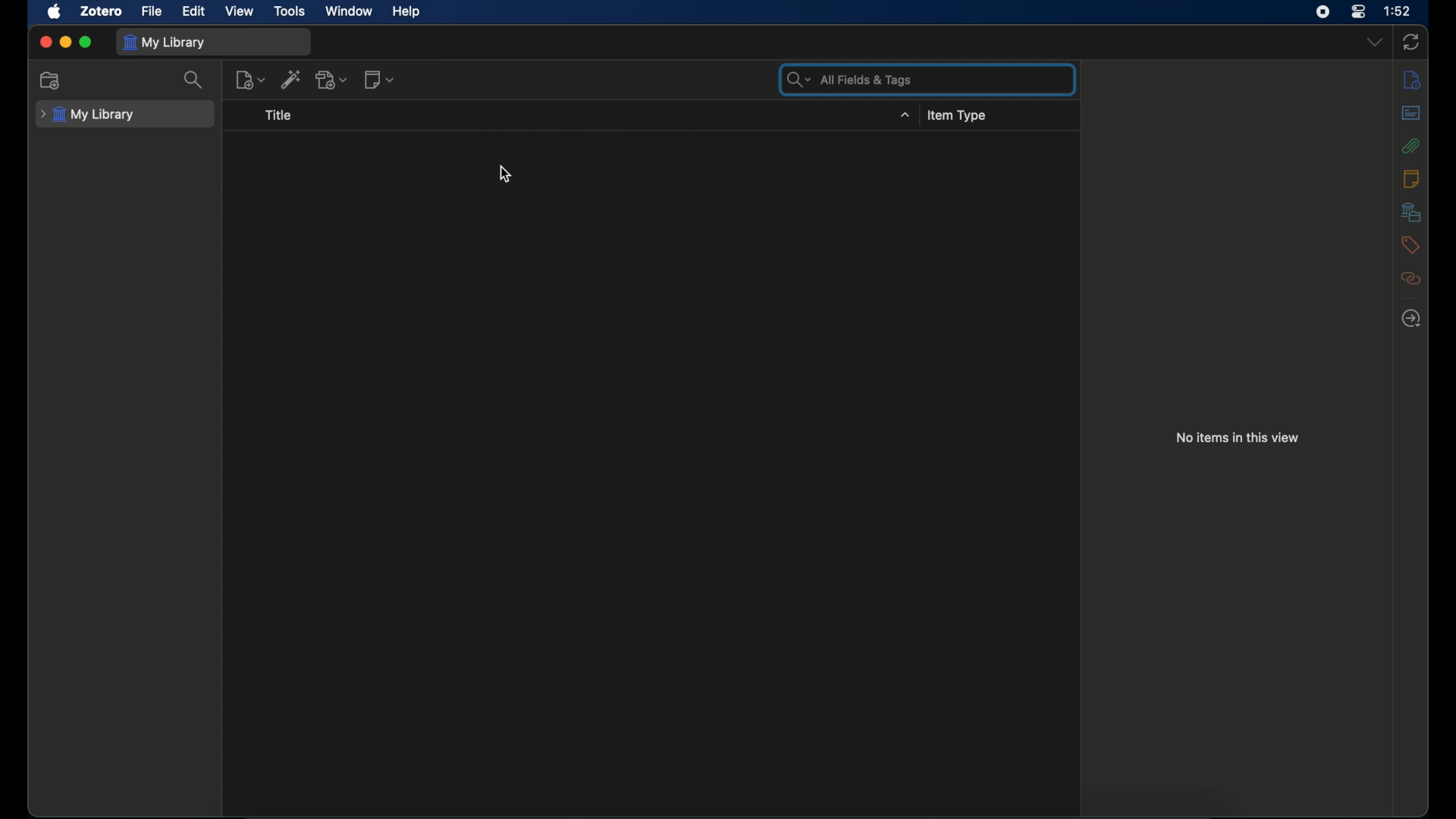 The height and width of the screenshot is (819, 1456). I want to click on window, so click(350, 12).